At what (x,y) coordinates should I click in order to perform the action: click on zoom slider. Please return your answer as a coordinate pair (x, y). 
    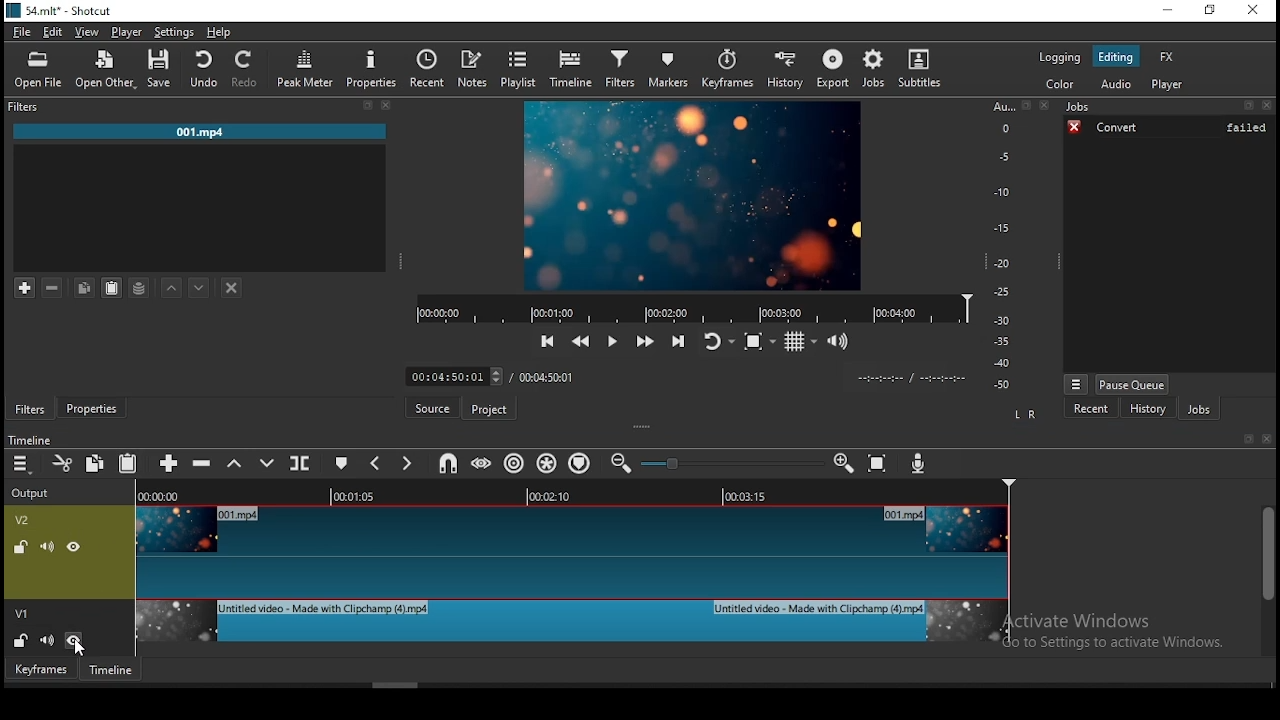
    Looking at the image, I should click on (731, 463).